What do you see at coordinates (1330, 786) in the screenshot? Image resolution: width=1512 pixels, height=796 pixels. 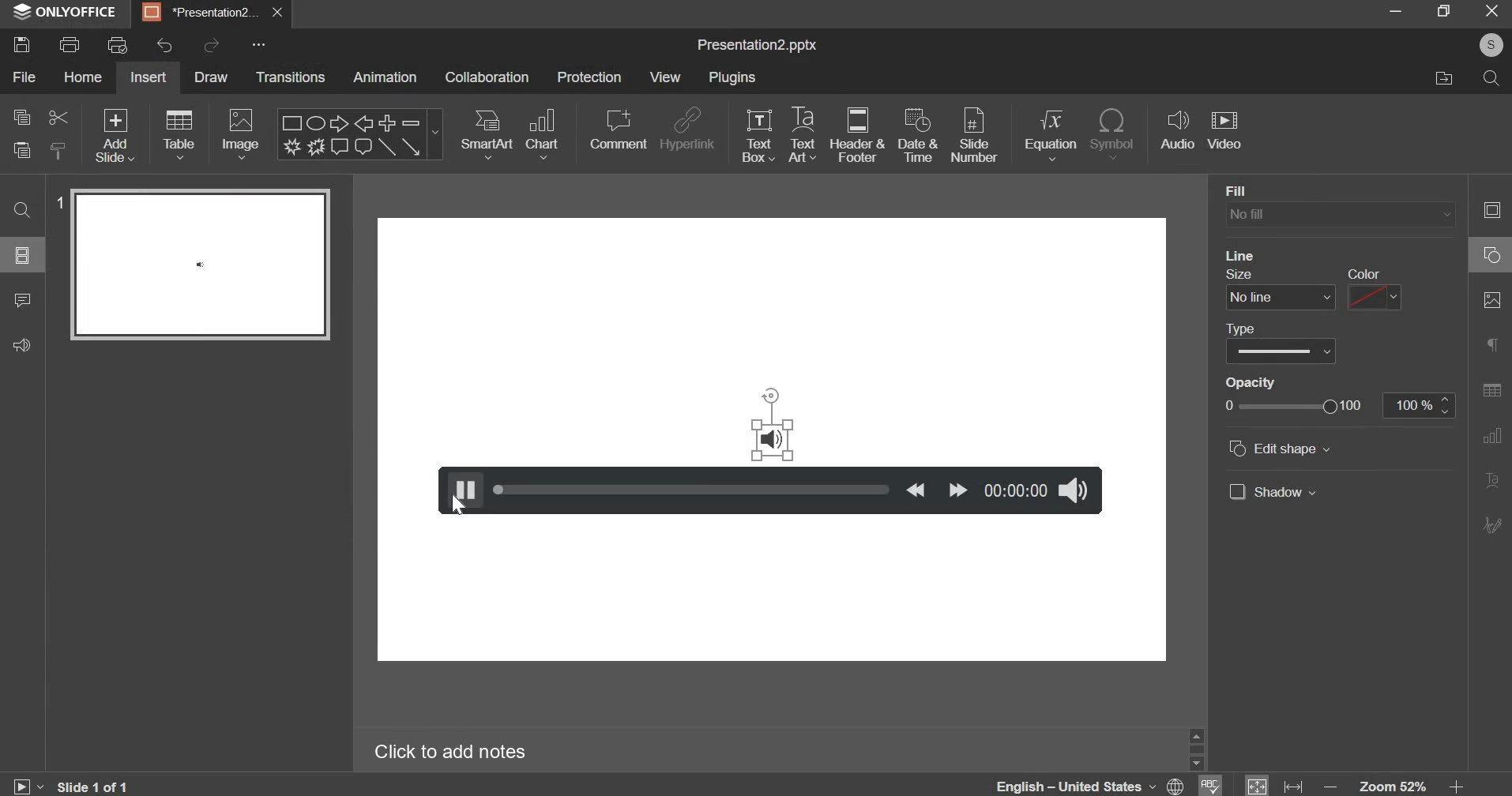 I see `decrease zoom` at bounding box center [1330, 786].